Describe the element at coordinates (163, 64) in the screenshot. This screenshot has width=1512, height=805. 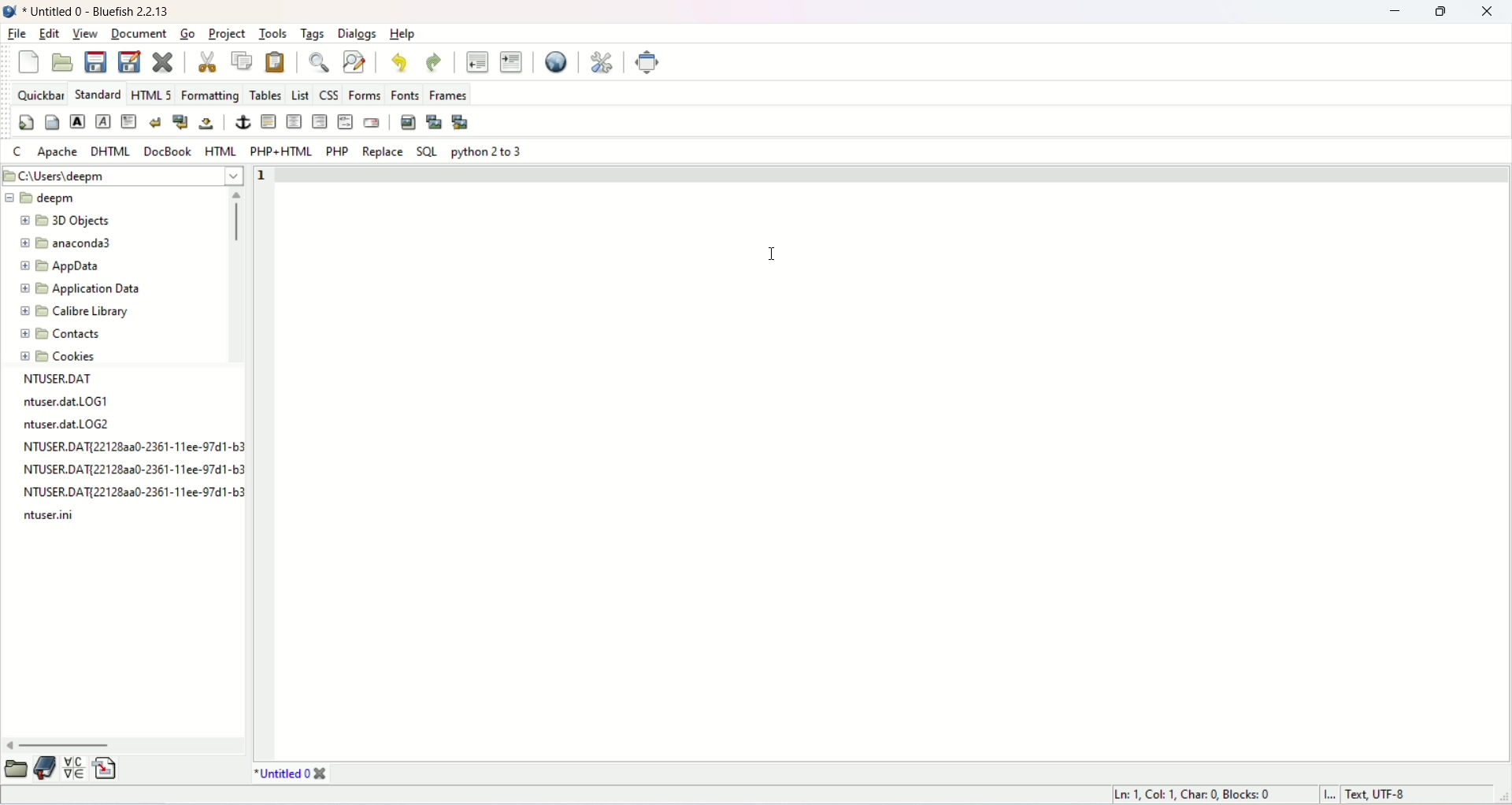
I see `close current file` at that location.